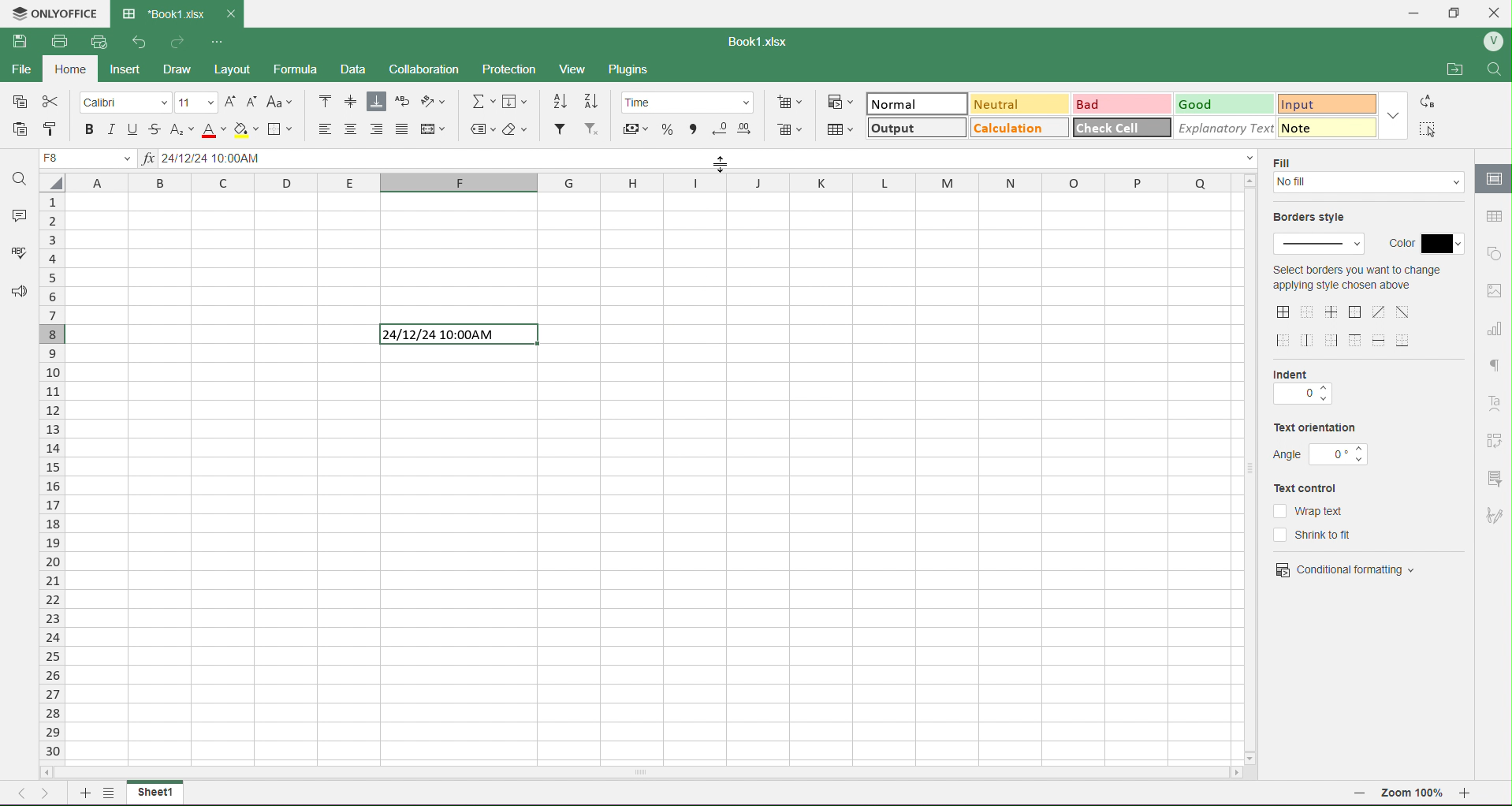  Describe the element at coordinates (1299, 373) in the screenshot. I see `indent` at that location.